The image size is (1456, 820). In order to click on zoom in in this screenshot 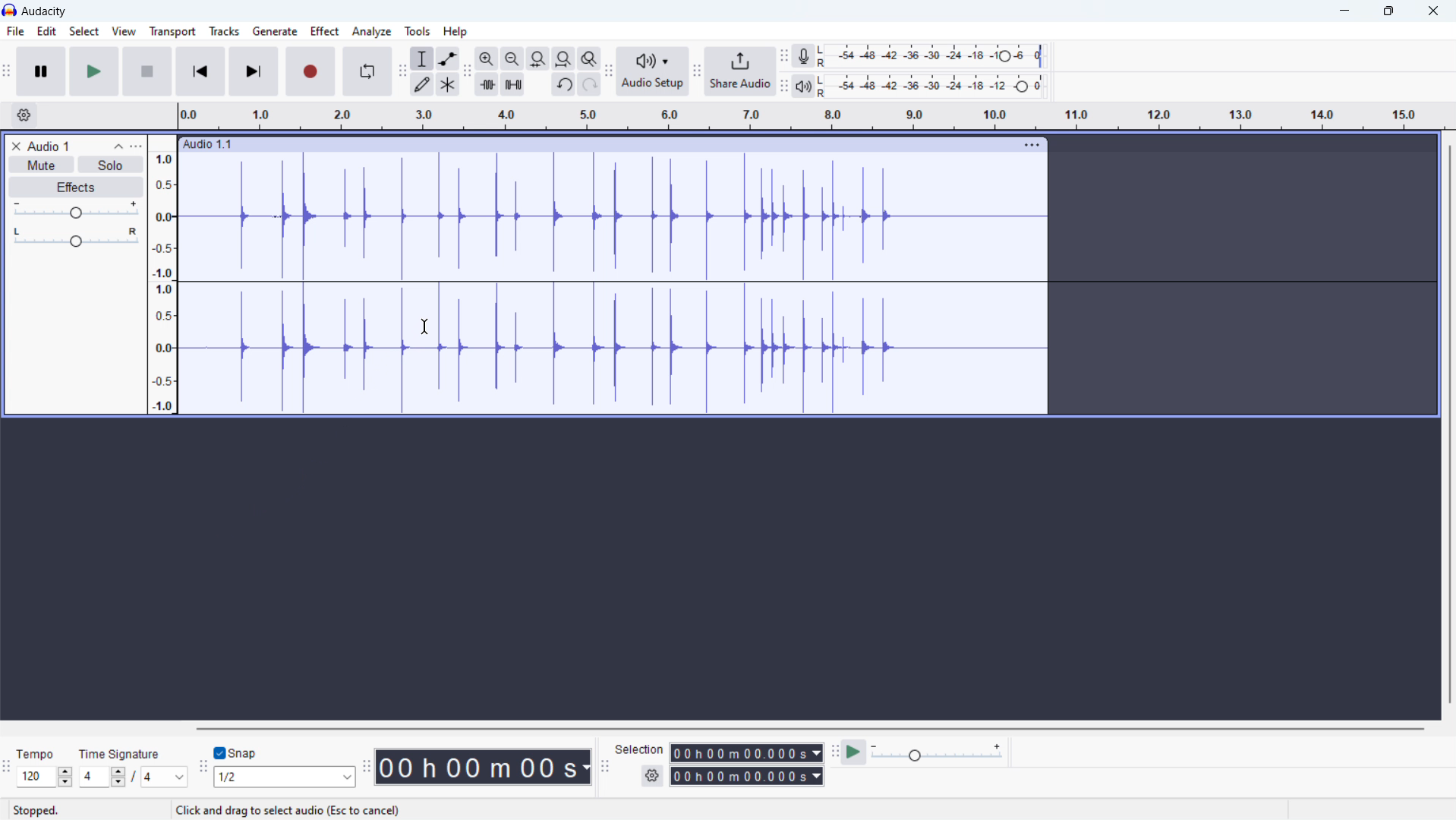, I will do `click(487, 58)`.